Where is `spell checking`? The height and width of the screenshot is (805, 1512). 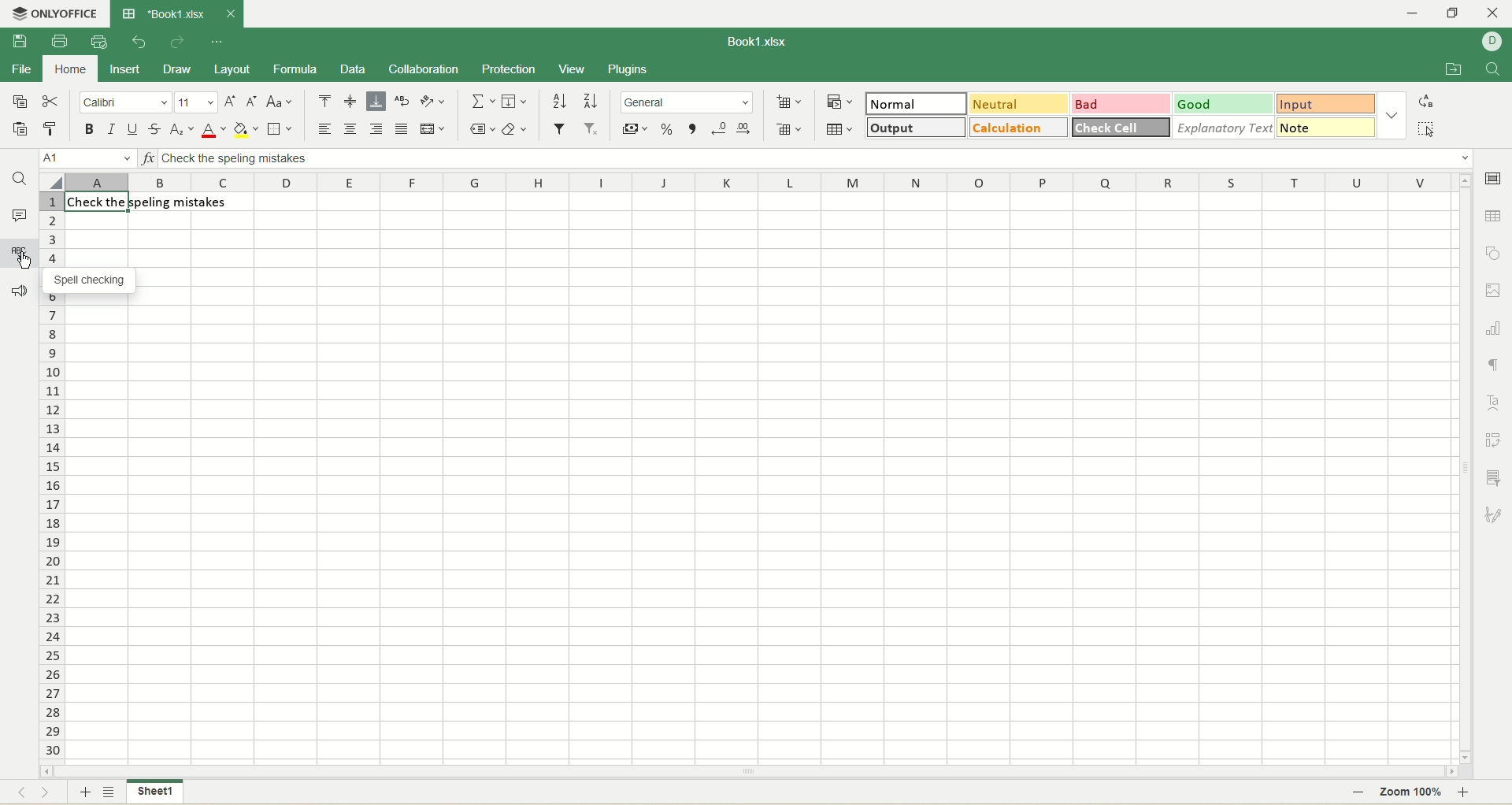
spell checking is located at coordinates (20, 254).